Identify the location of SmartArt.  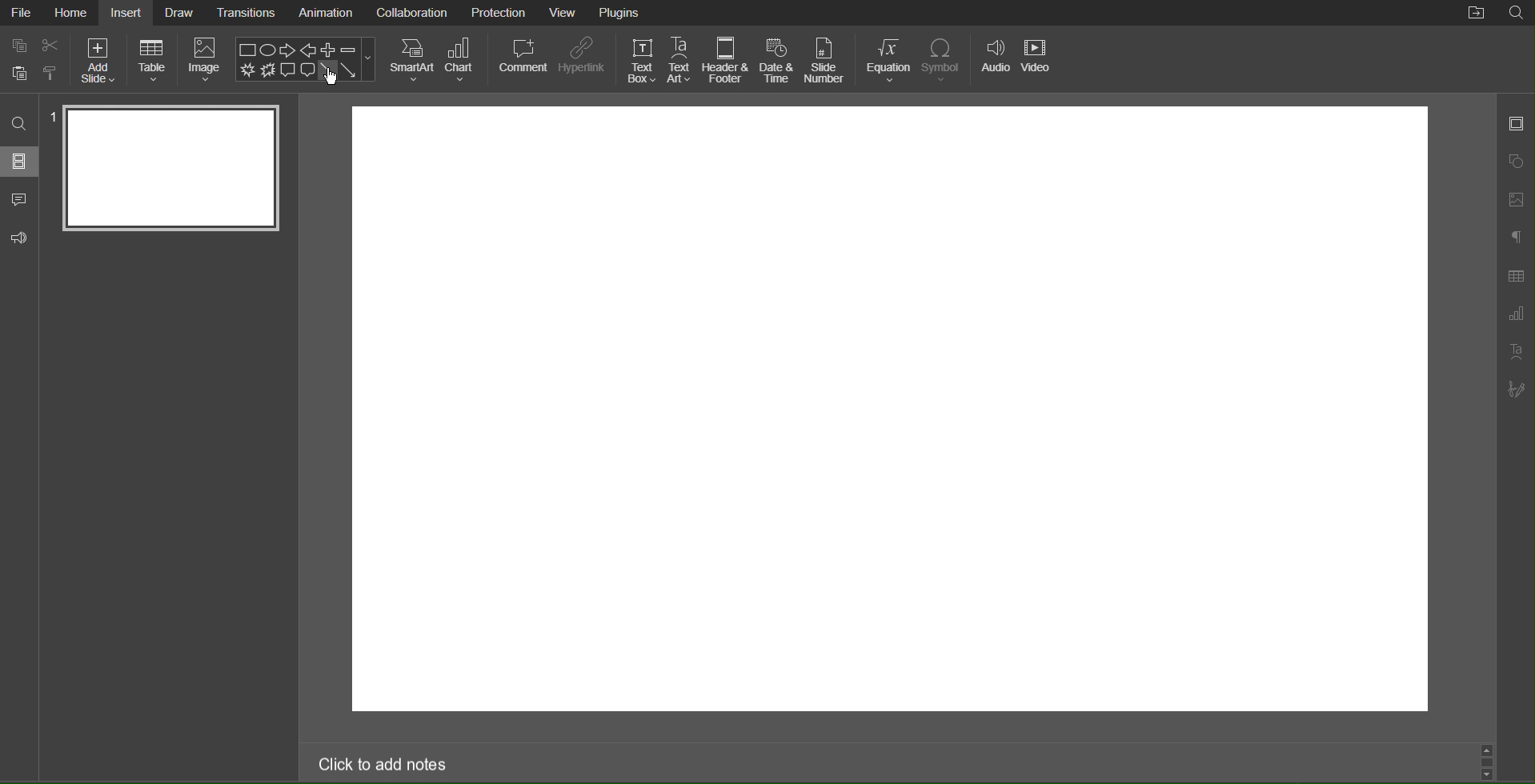
(411, 59).